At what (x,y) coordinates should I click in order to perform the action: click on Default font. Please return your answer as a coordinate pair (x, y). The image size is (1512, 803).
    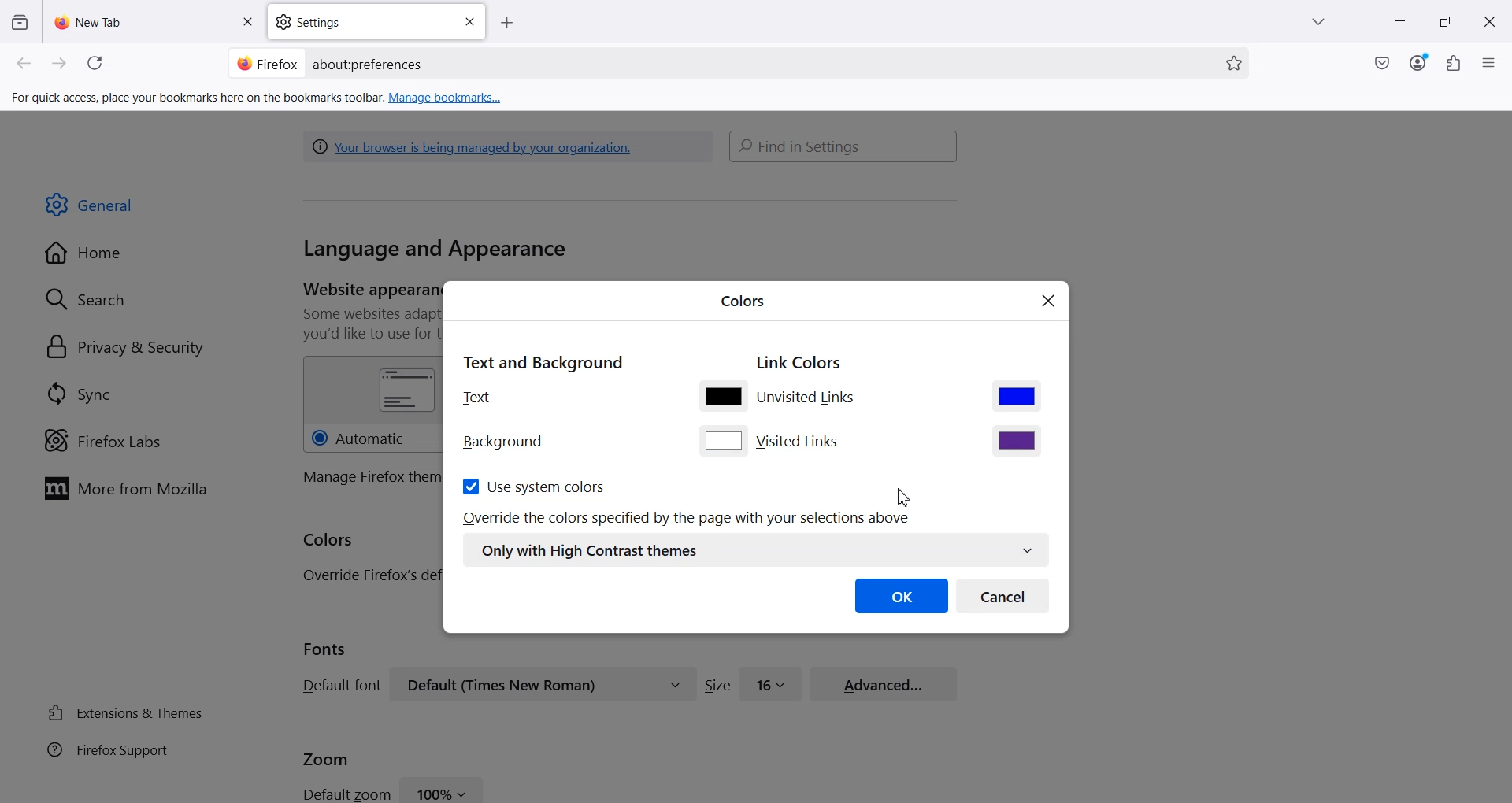
    Looking at the image, I should click on (339, 685).